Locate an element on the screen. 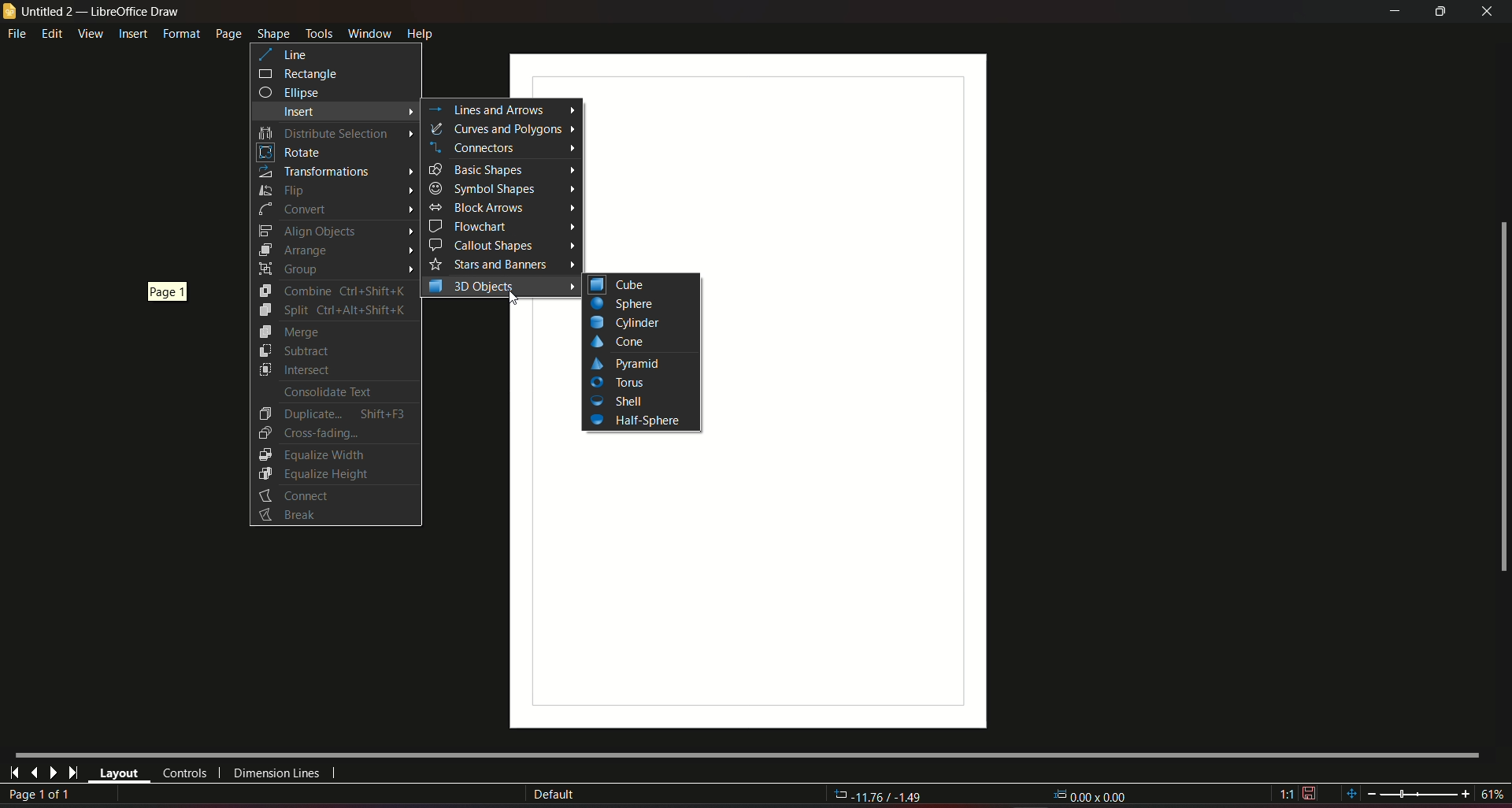 Image resolution: width=1512 pixels, height=808 pixels. Convert is located at coordinates (293, 209).